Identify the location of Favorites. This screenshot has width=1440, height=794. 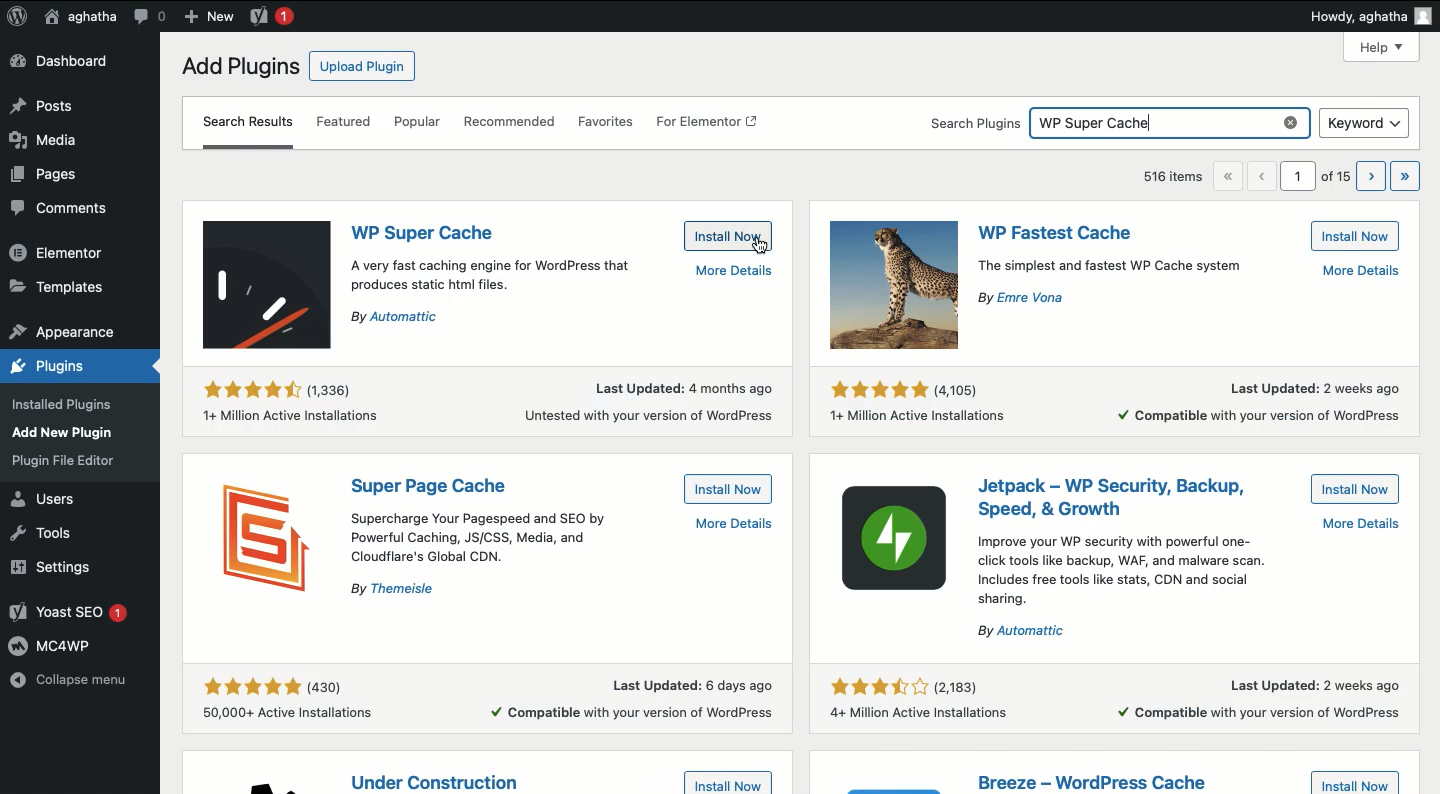
(605, 120).